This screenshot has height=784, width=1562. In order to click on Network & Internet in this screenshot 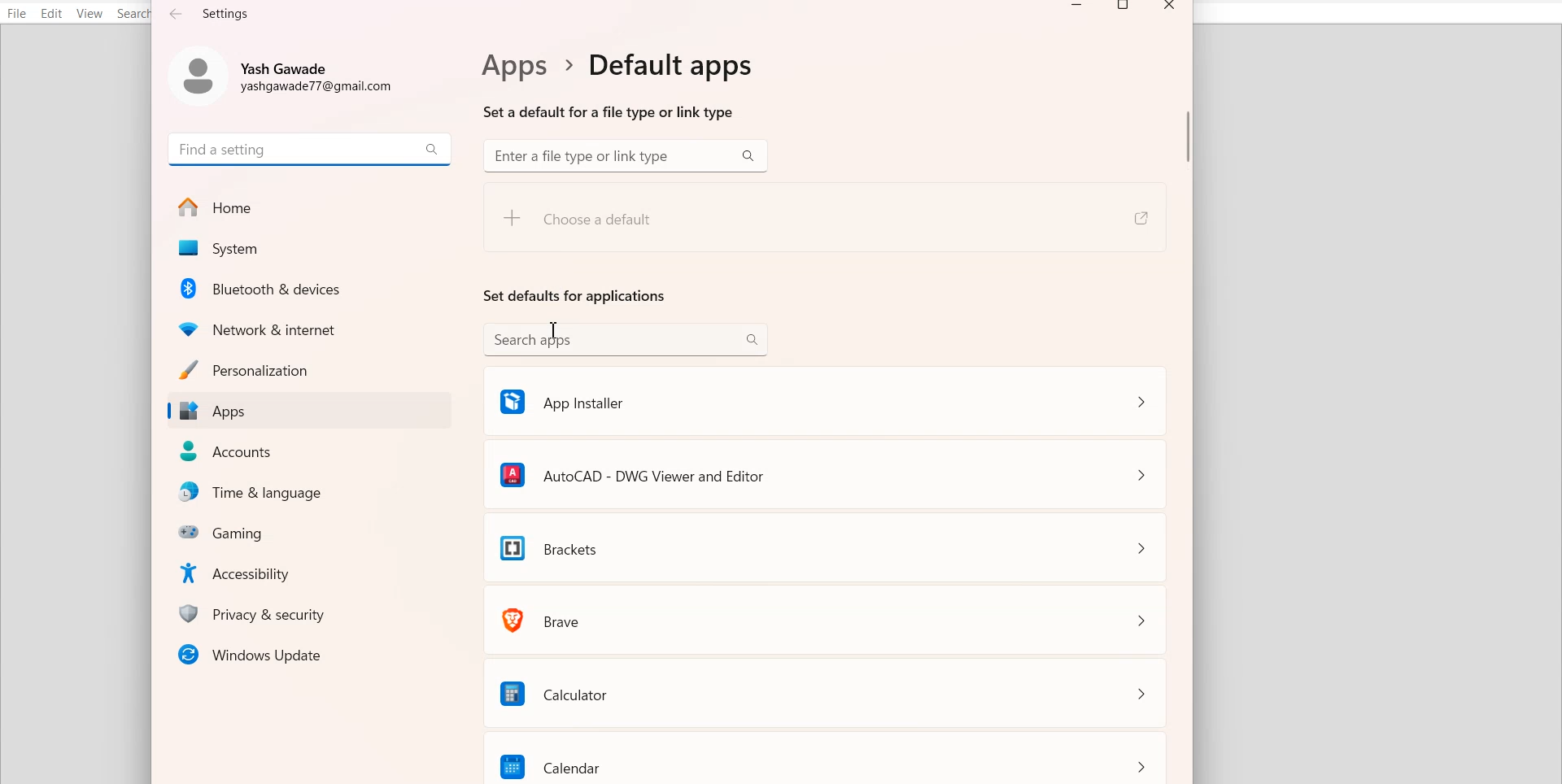, I will do `click(311, 327)`.